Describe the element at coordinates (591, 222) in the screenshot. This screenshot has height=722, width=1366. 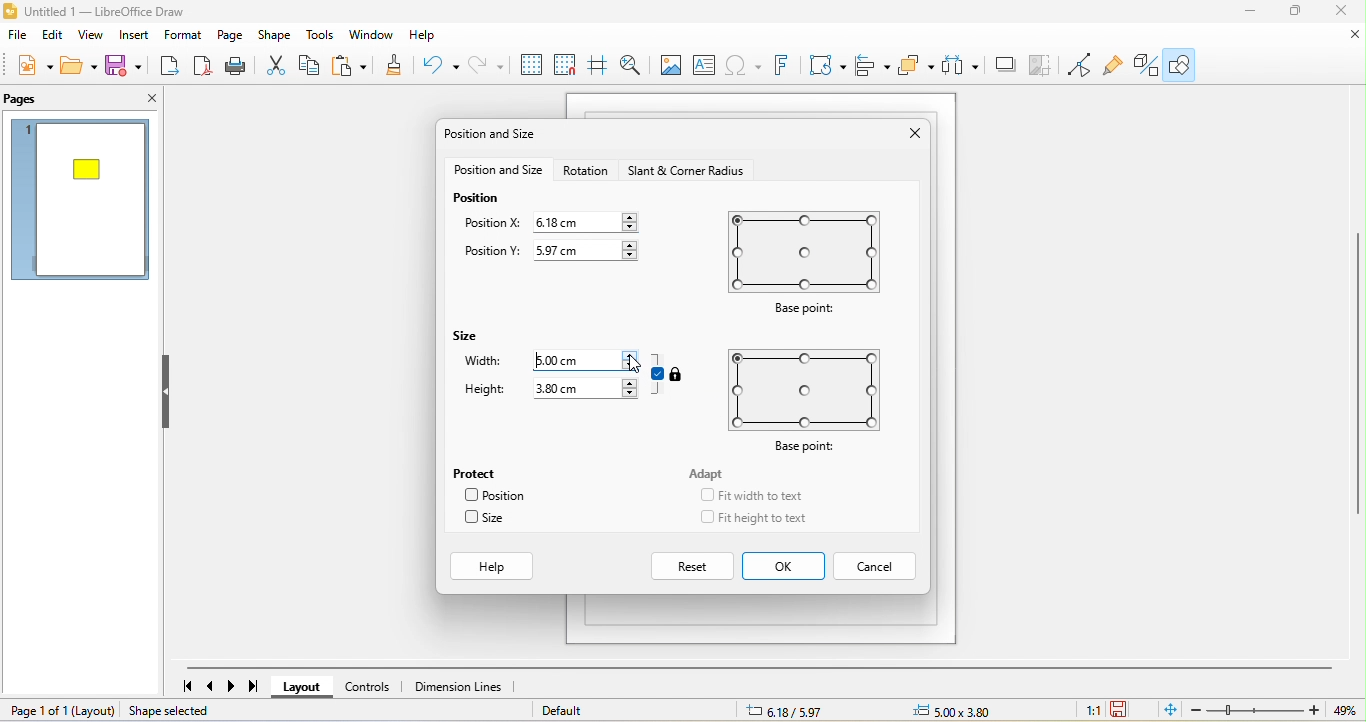
I see `6.18 cm` at that location.